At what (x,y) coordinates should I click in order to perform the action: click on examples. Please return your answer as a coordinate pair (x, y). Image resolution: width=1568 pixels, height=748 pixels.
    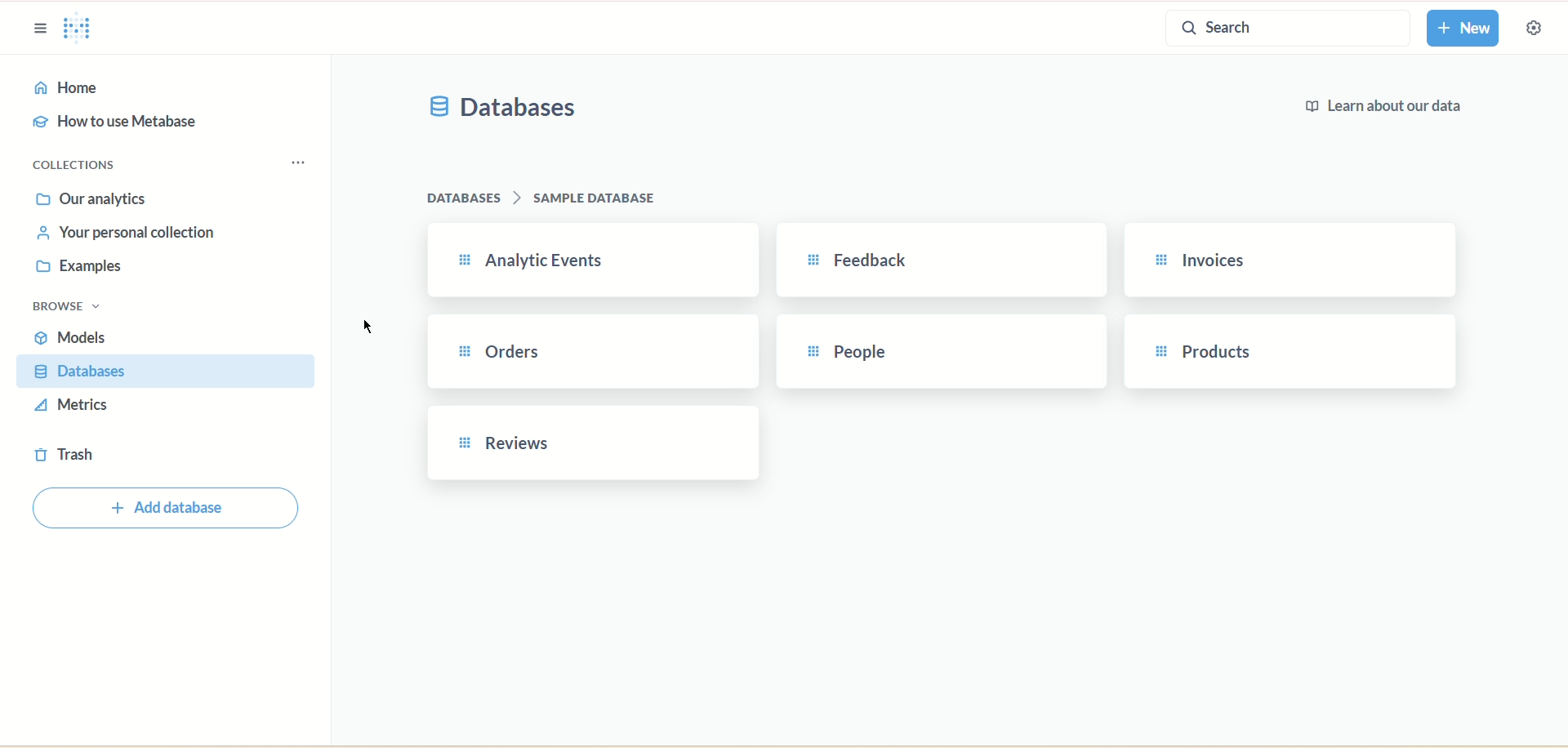
    Looking at the image, I should click on (73, 268).